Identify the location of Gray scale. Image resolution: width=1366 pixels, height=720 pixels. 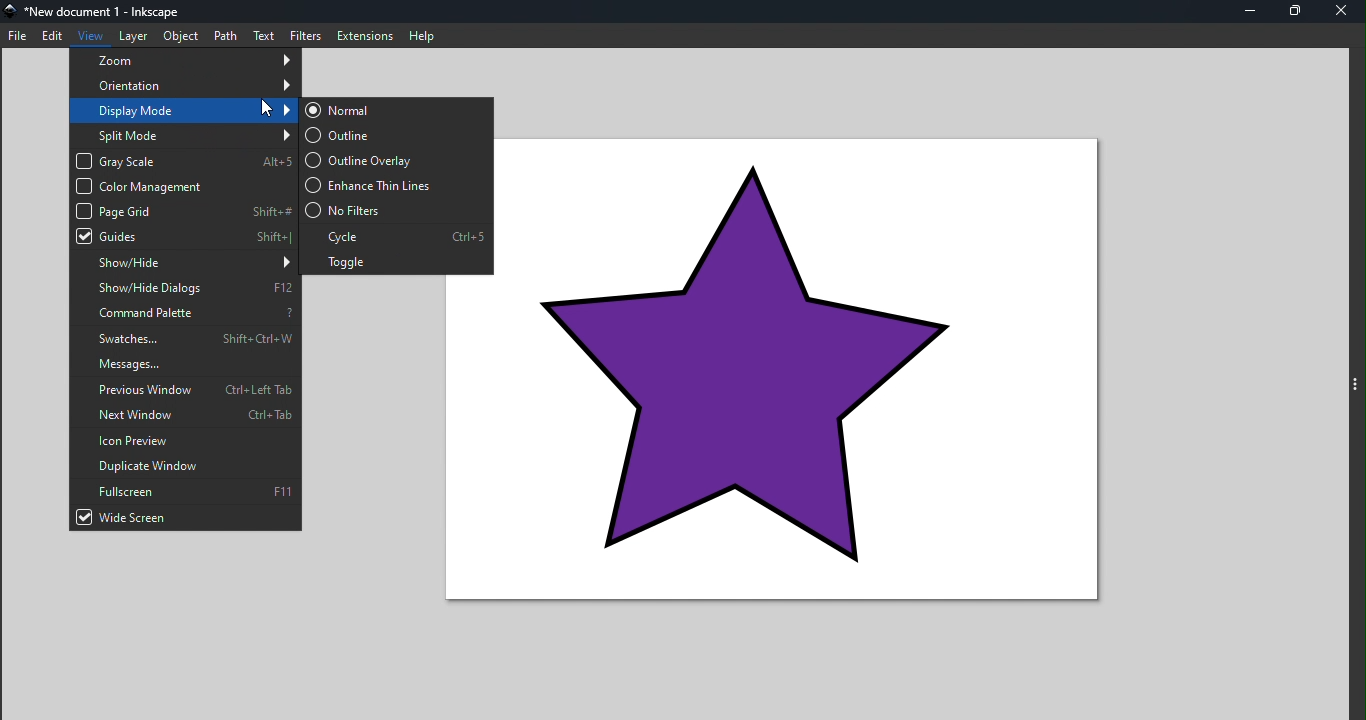
(182, 161).